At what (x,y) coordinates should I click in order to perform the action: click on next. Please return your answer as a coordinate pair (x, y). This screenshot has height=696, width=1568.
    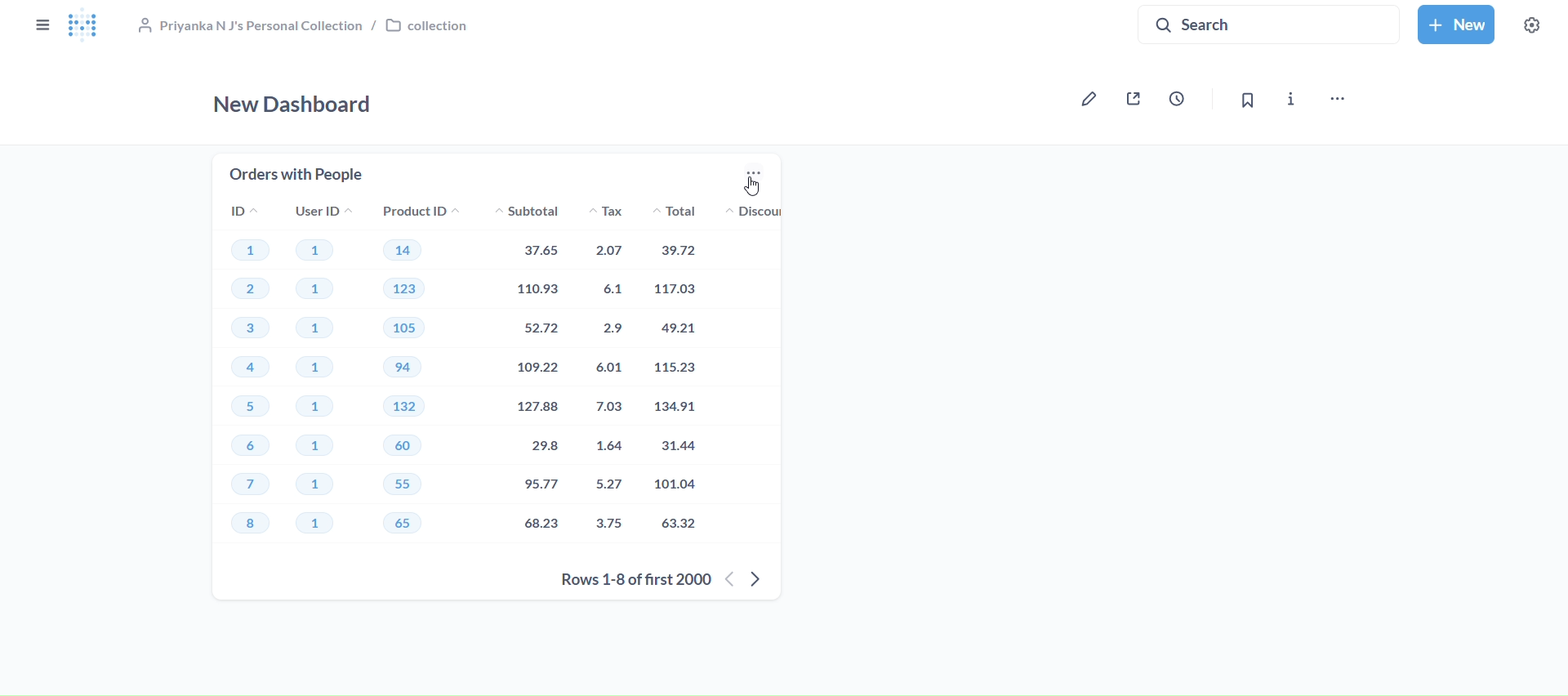
    Looking at the image, I should click on (768, 578).